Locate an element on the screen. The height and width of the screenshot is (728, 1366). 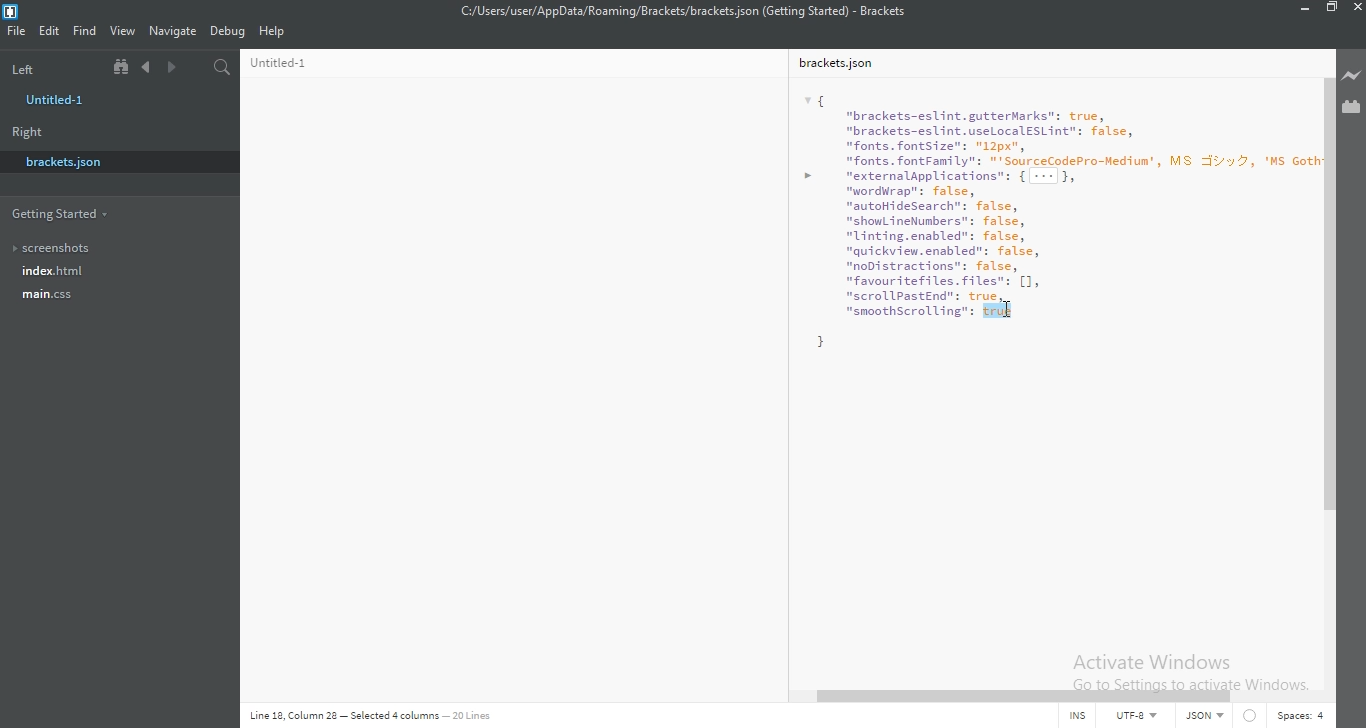
Previous document is located at coordinates (149, 66).